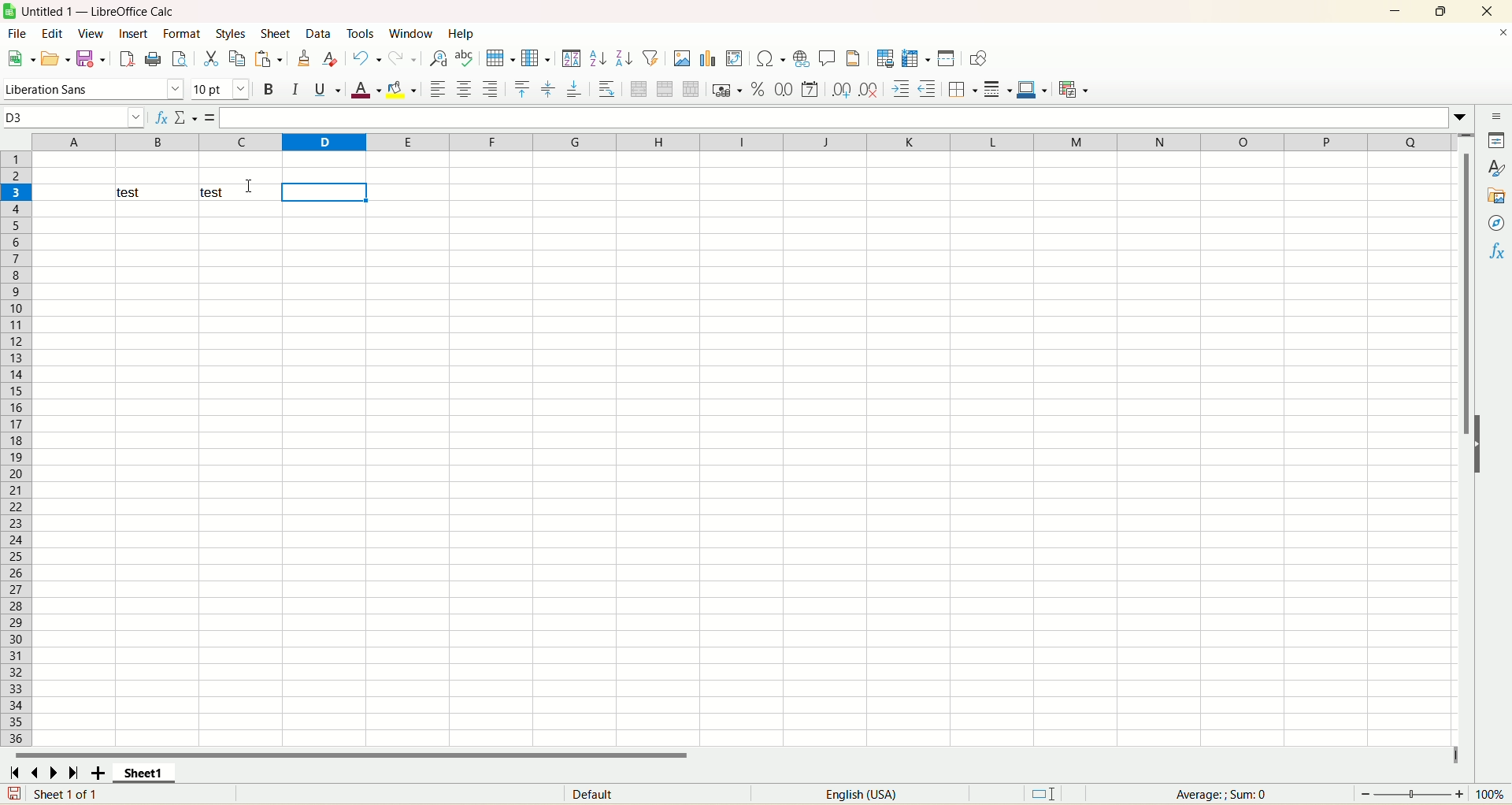  I want to click on insert, so click(133, 33).